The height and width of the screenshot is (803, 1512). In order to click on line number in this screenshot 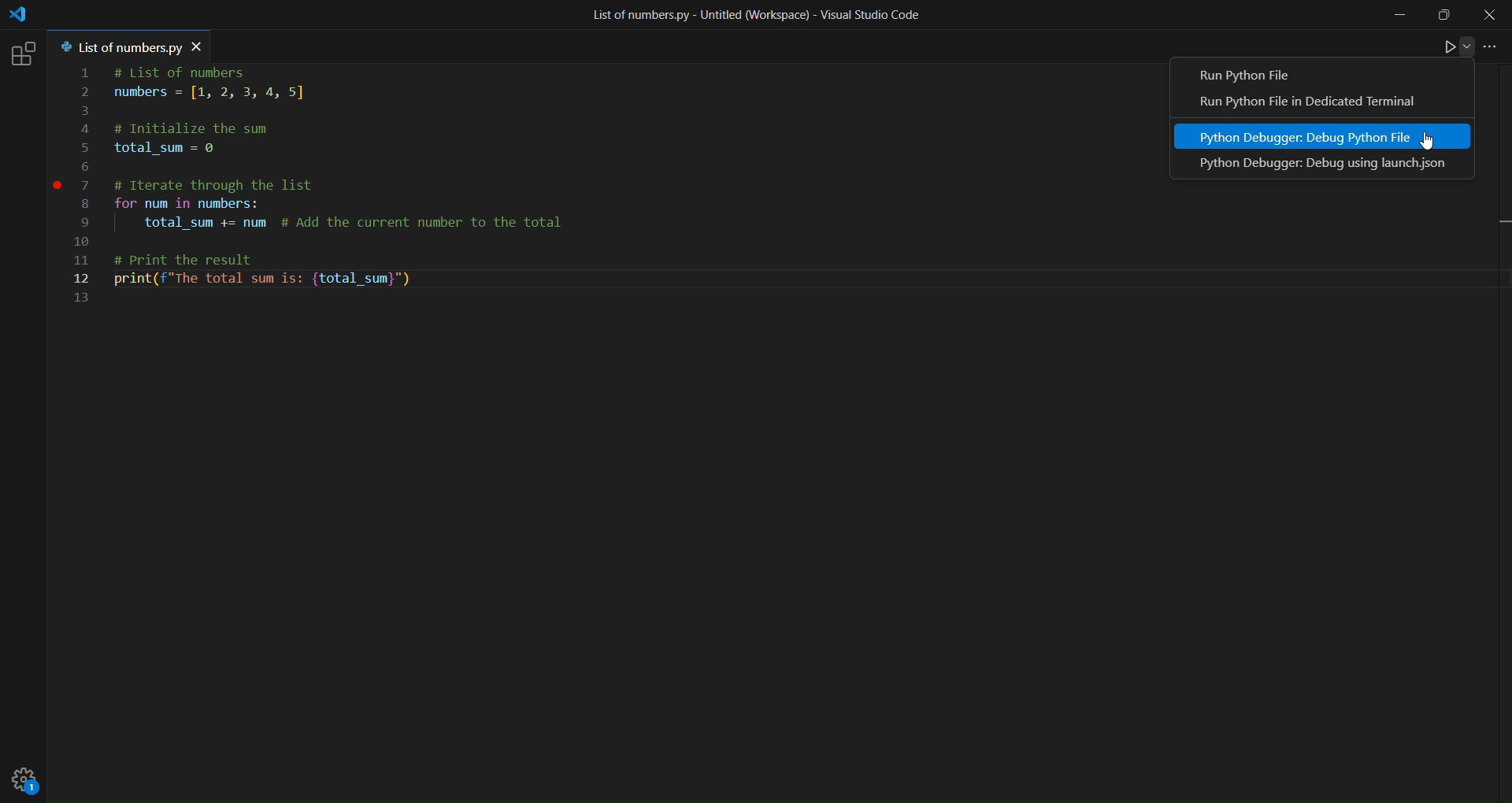, I will do `click(89, 187)`.